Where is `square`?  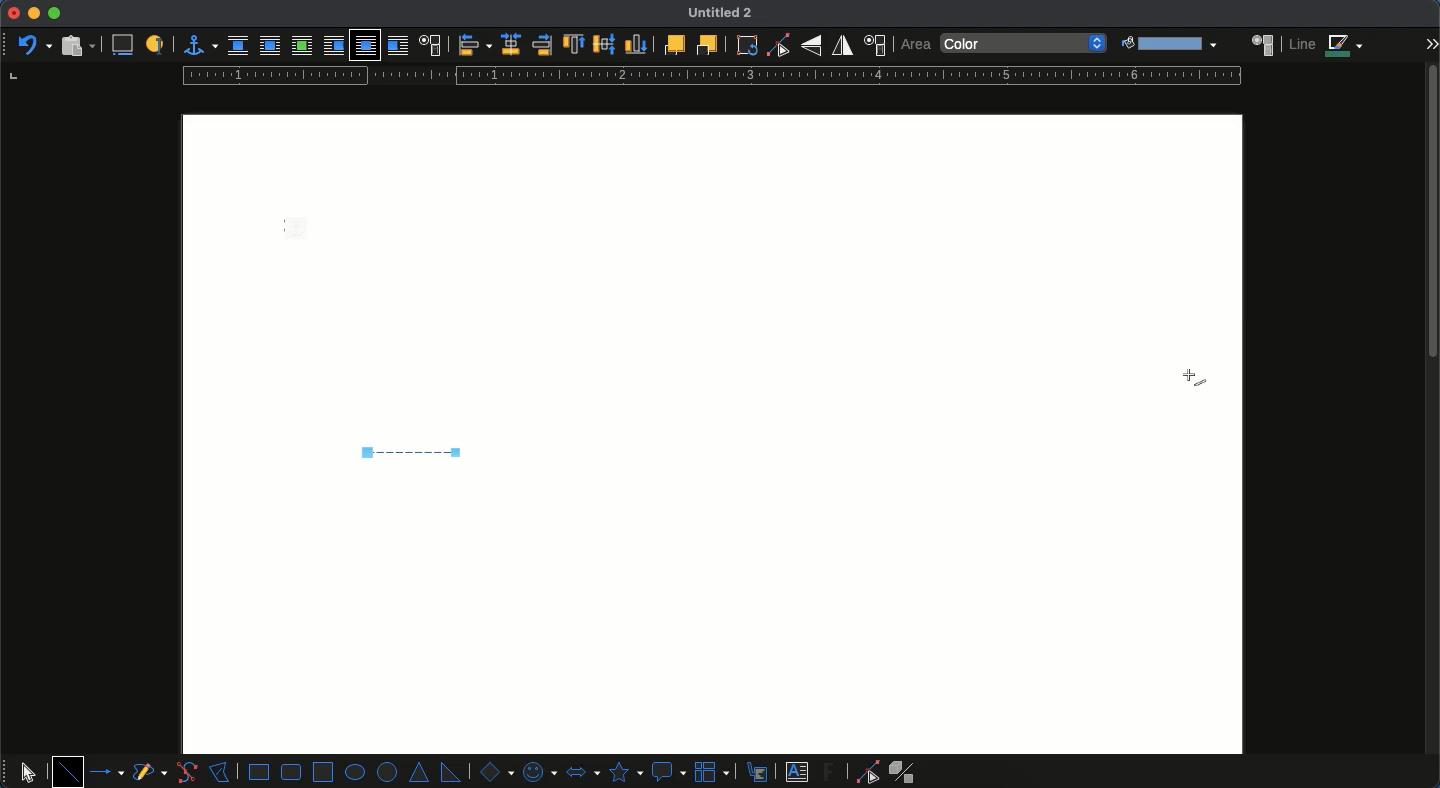
square is located at coordinates (323, 770).